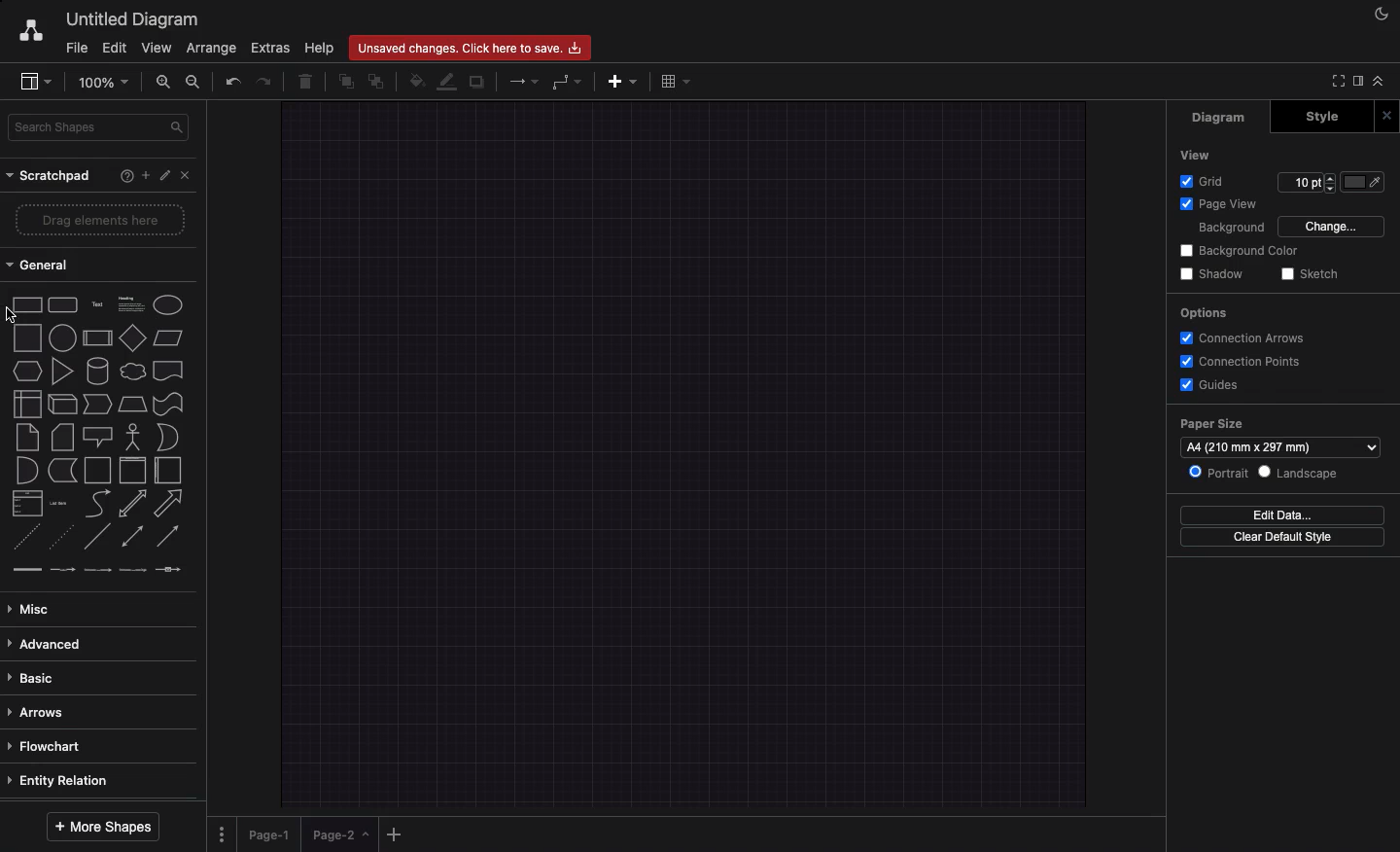 The image size is (1400, 852). What do you see at coordinates (1212, 387) in the screenshot?
I see `Guides` at bounding box center [1212, 387].